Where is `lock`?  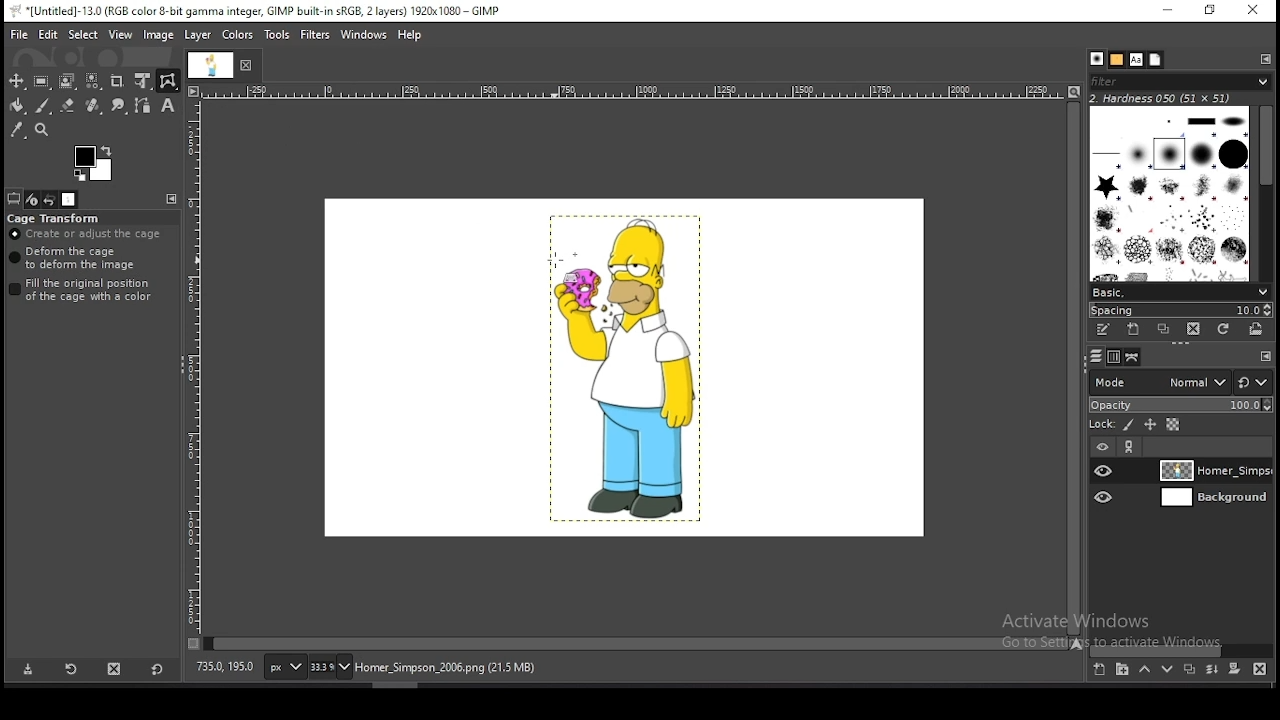
lock is located at coordinates (1100, 425).